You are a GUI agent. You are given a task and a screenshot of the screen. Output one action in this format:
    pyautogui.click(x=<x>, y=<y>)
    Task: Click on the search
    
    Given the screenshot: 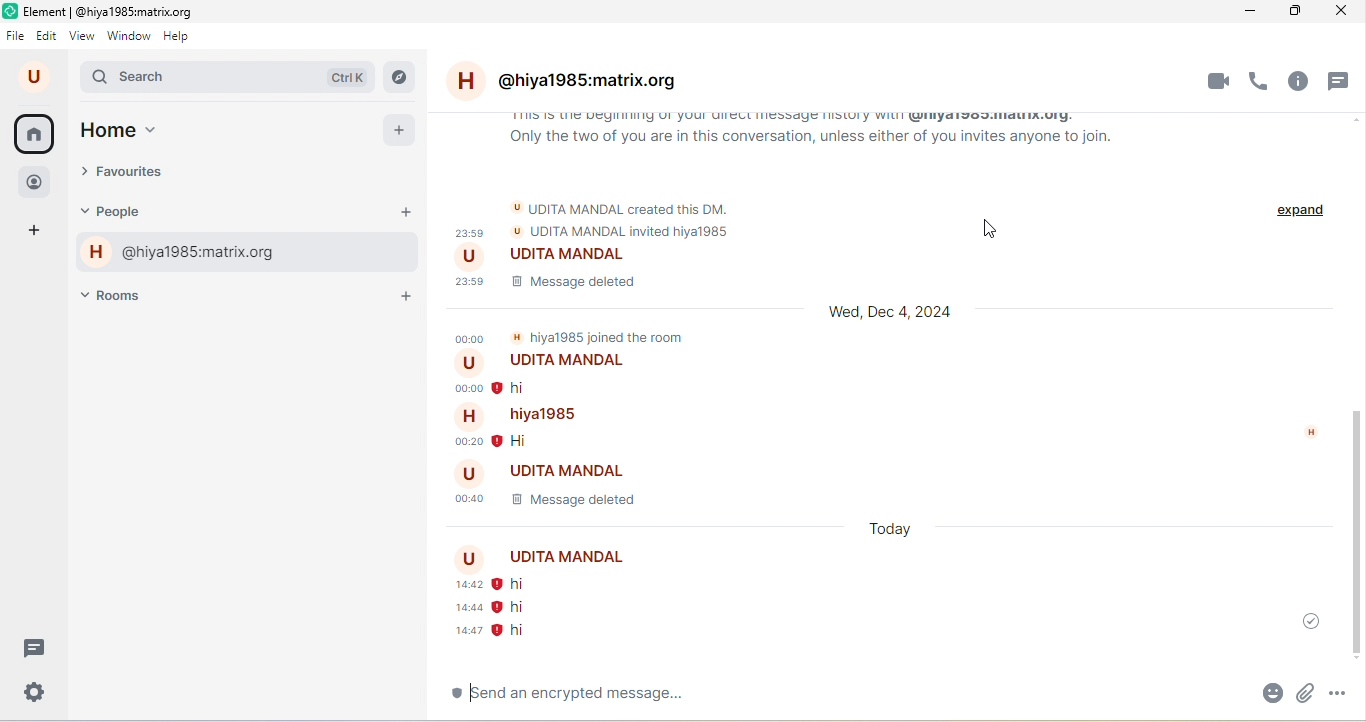 What is the action you would take?
    pyautogui.click(x=229, y=79)
    